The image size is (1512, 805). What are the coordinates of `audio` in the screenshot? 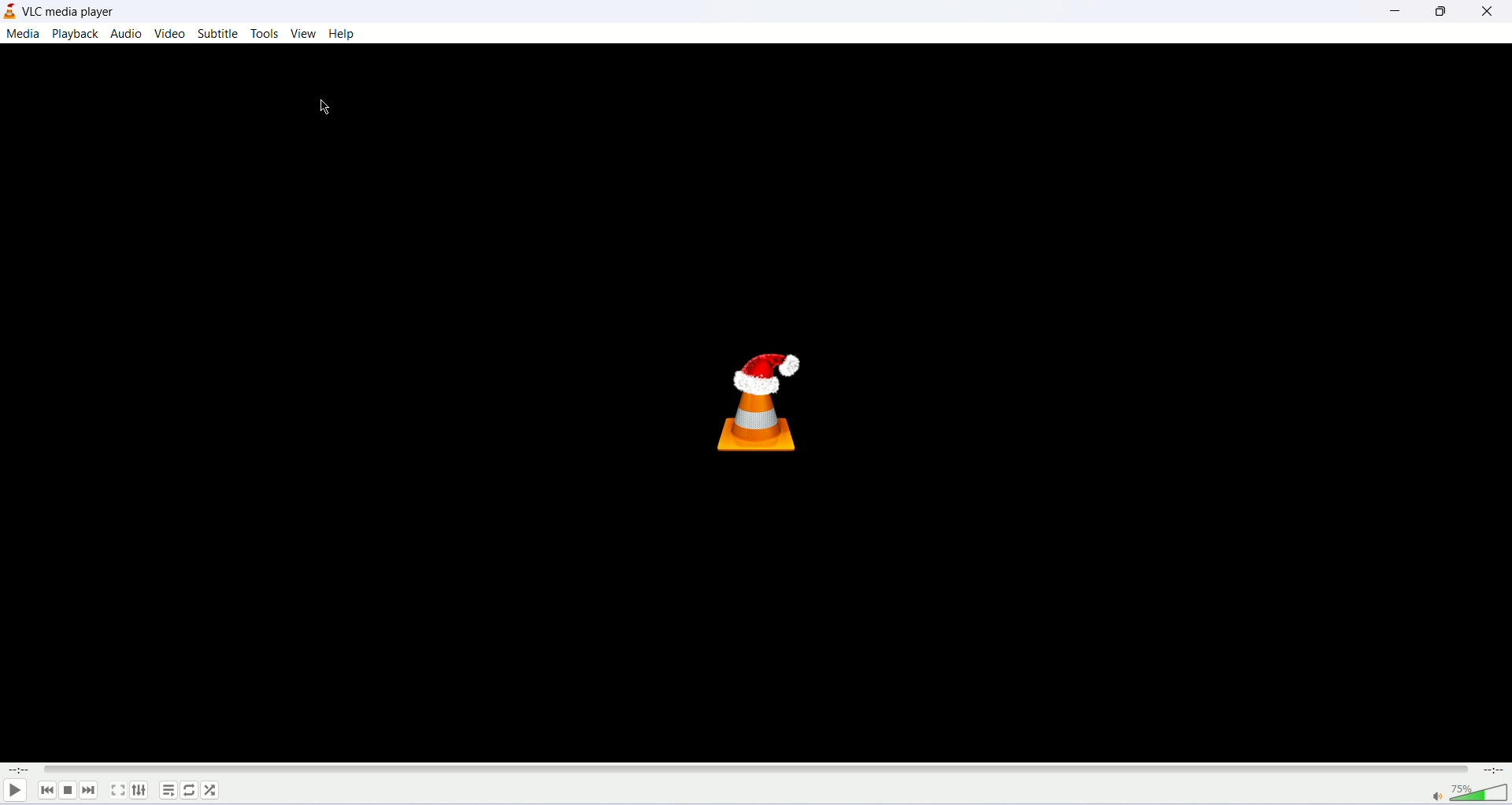 It's located at (125, 35).